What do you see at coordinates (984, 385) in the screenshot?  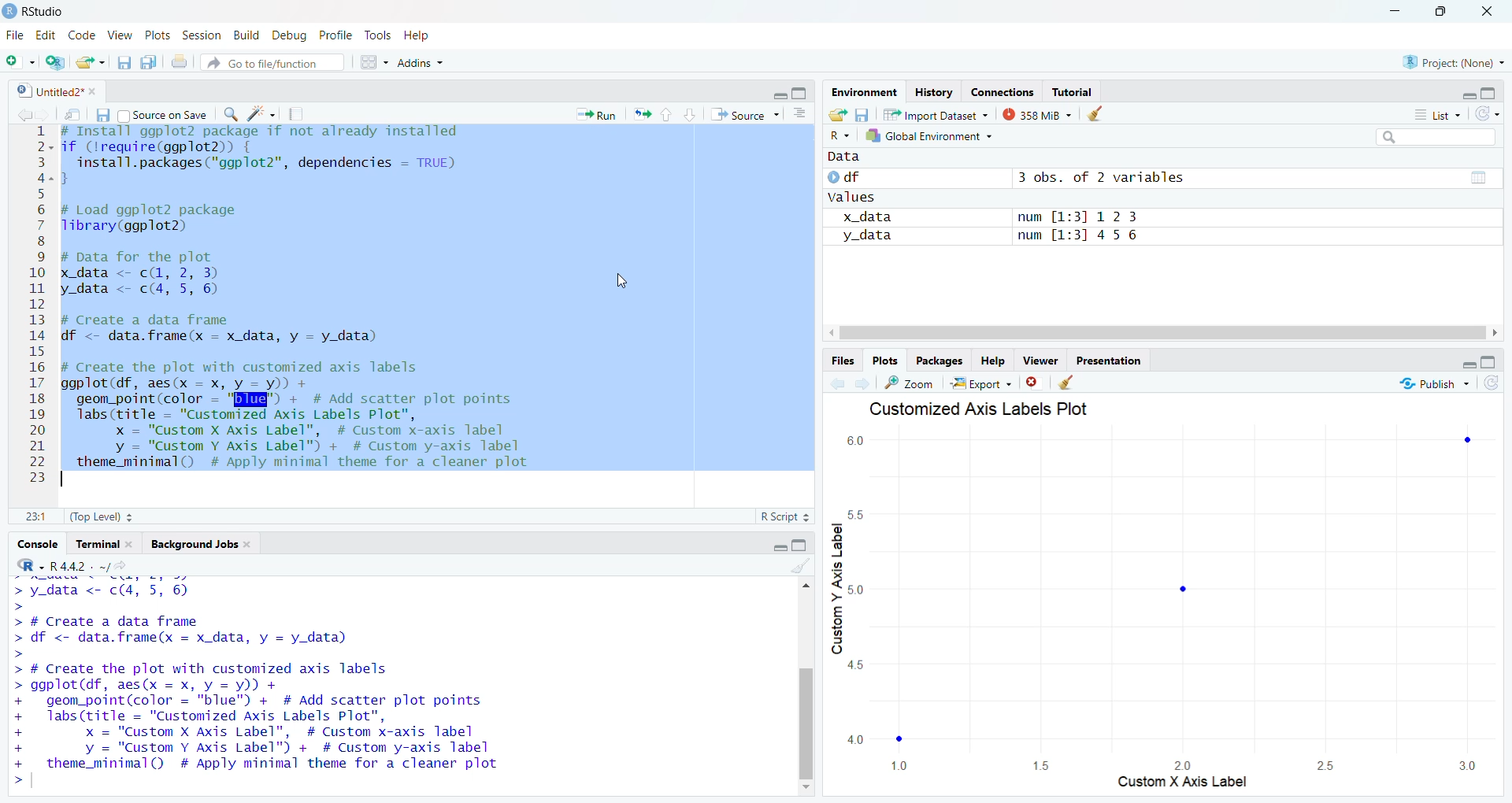 I see `Export` at bounding box center [984, 385].